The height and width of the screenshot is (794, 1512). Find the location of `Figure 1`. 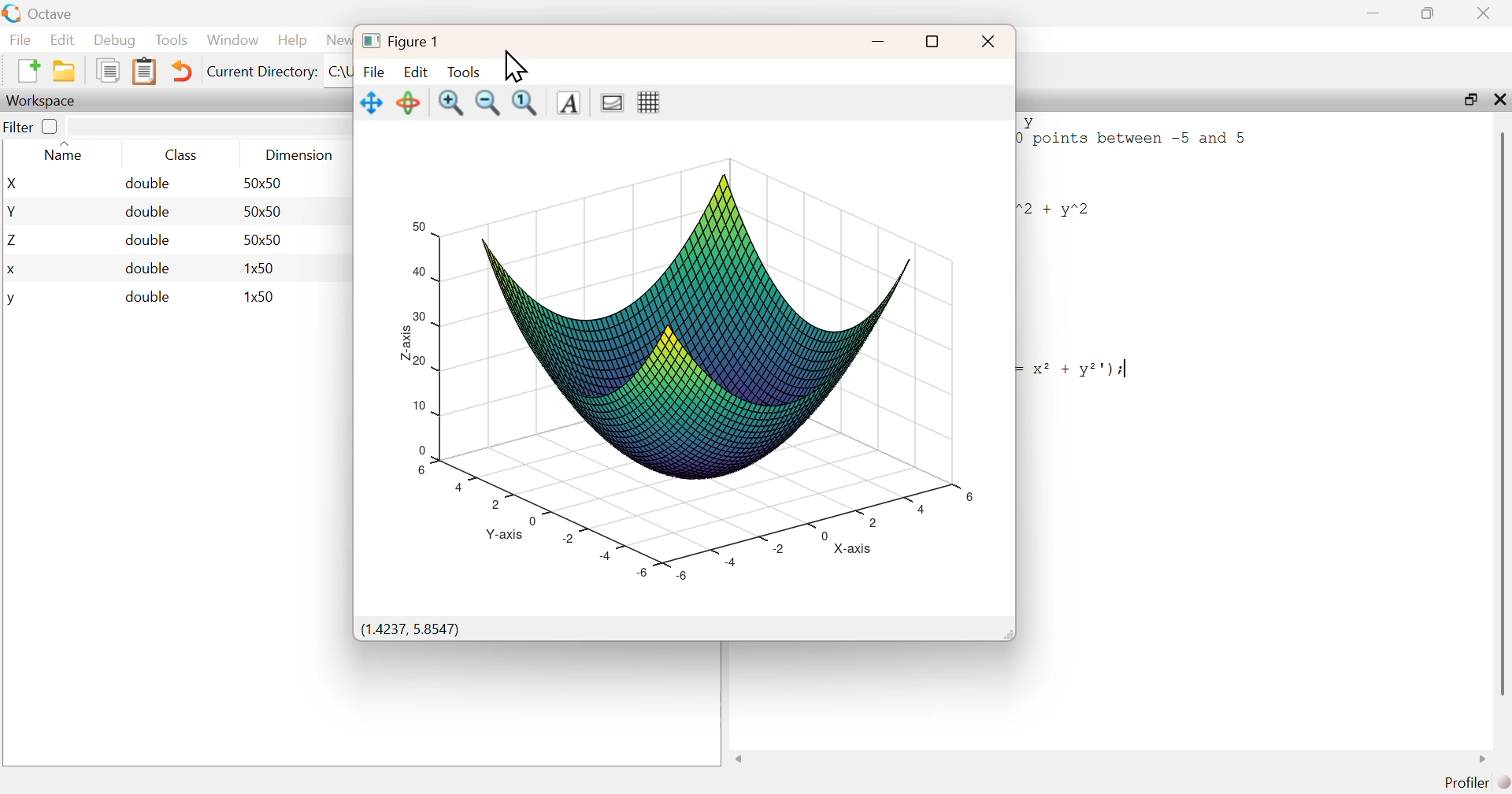

Figure 1 is located at coordinates (401, 41).